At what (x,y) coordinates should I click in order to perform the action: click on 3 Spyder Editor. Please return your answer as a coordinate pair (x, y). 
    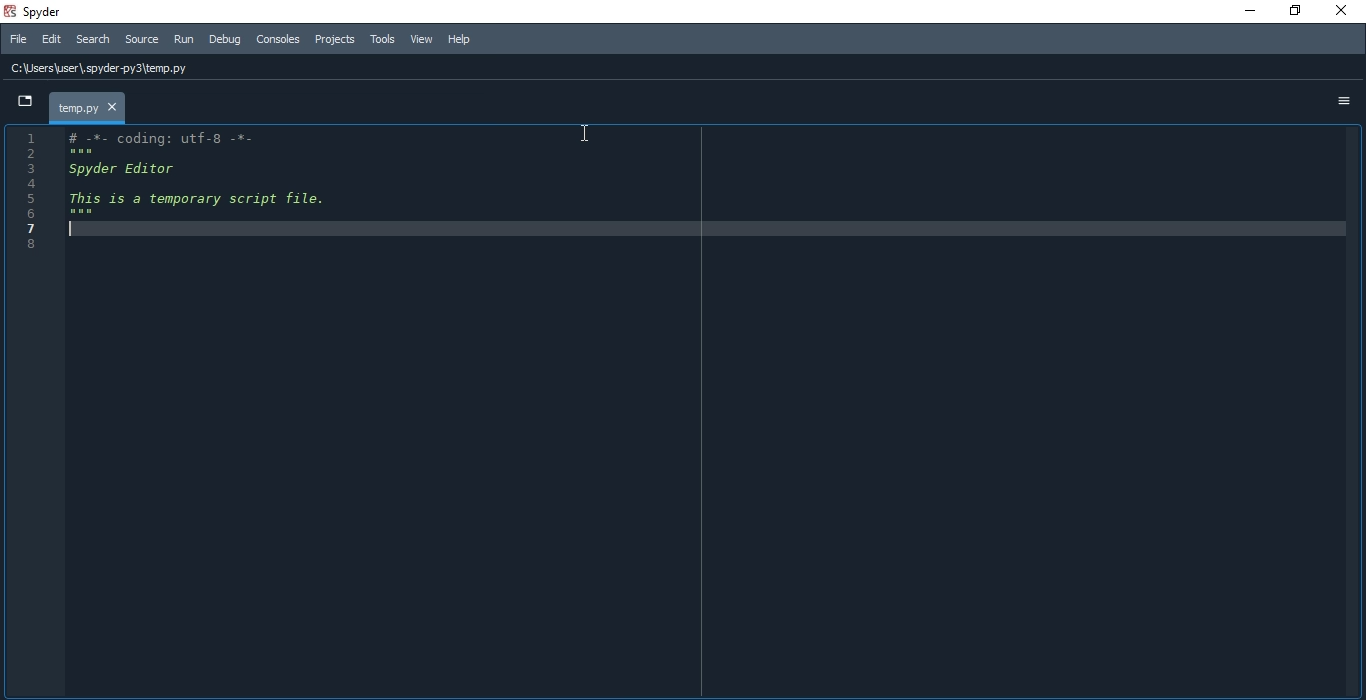
    Looking at the image, I should click on (119, 168).